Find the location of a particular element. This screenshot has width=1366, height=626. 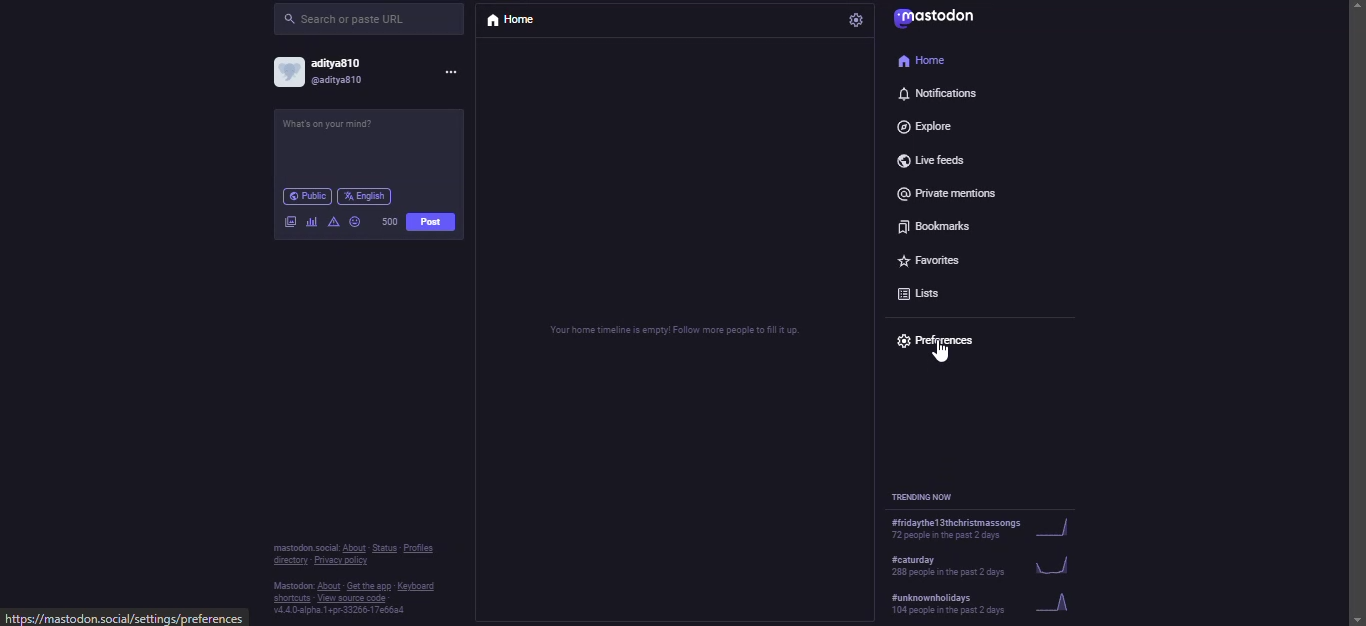

search or paste url is located at coordinates (370, 20).